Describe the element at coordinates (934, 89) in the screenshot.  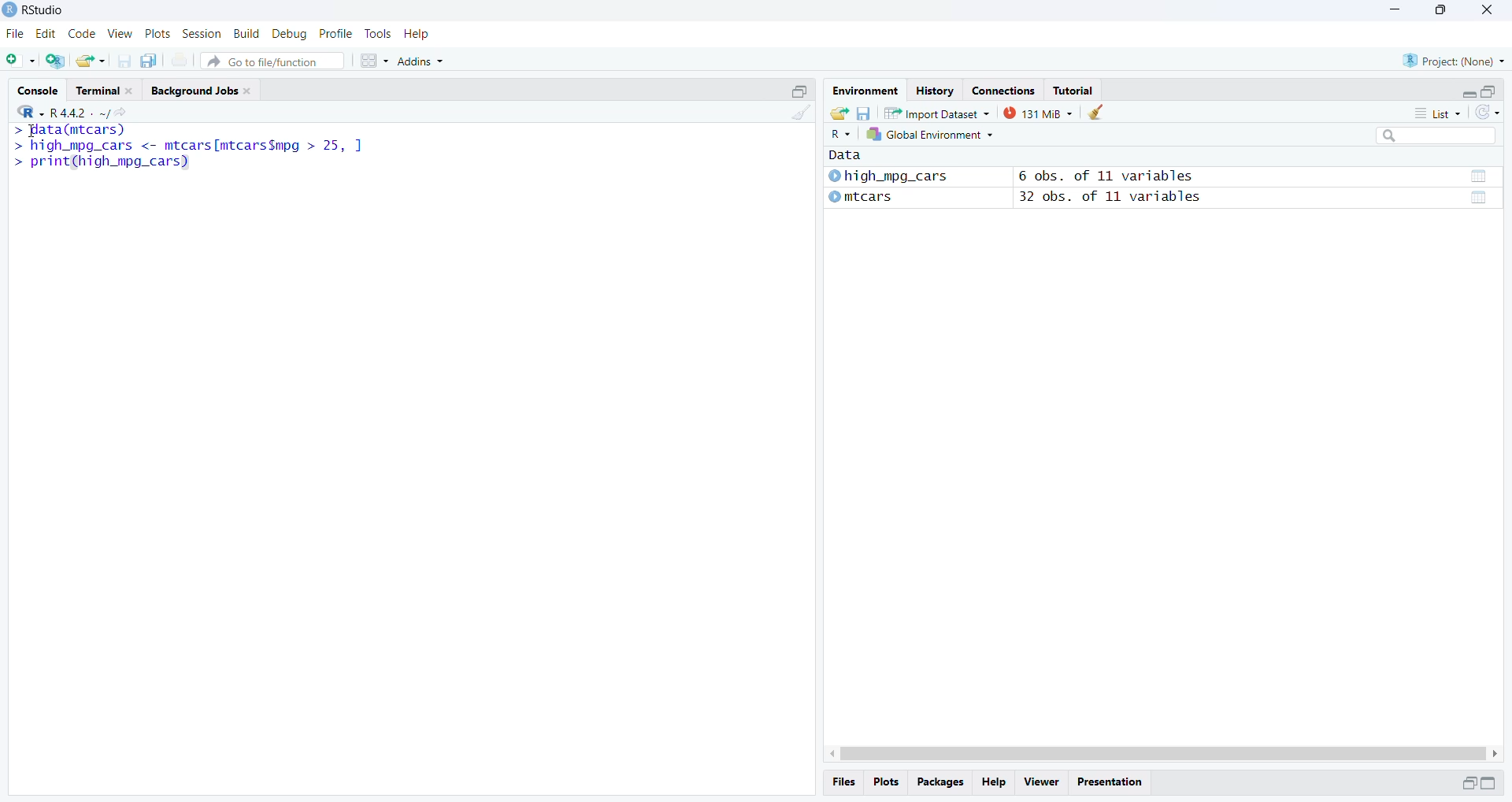
I see `History` at that location.